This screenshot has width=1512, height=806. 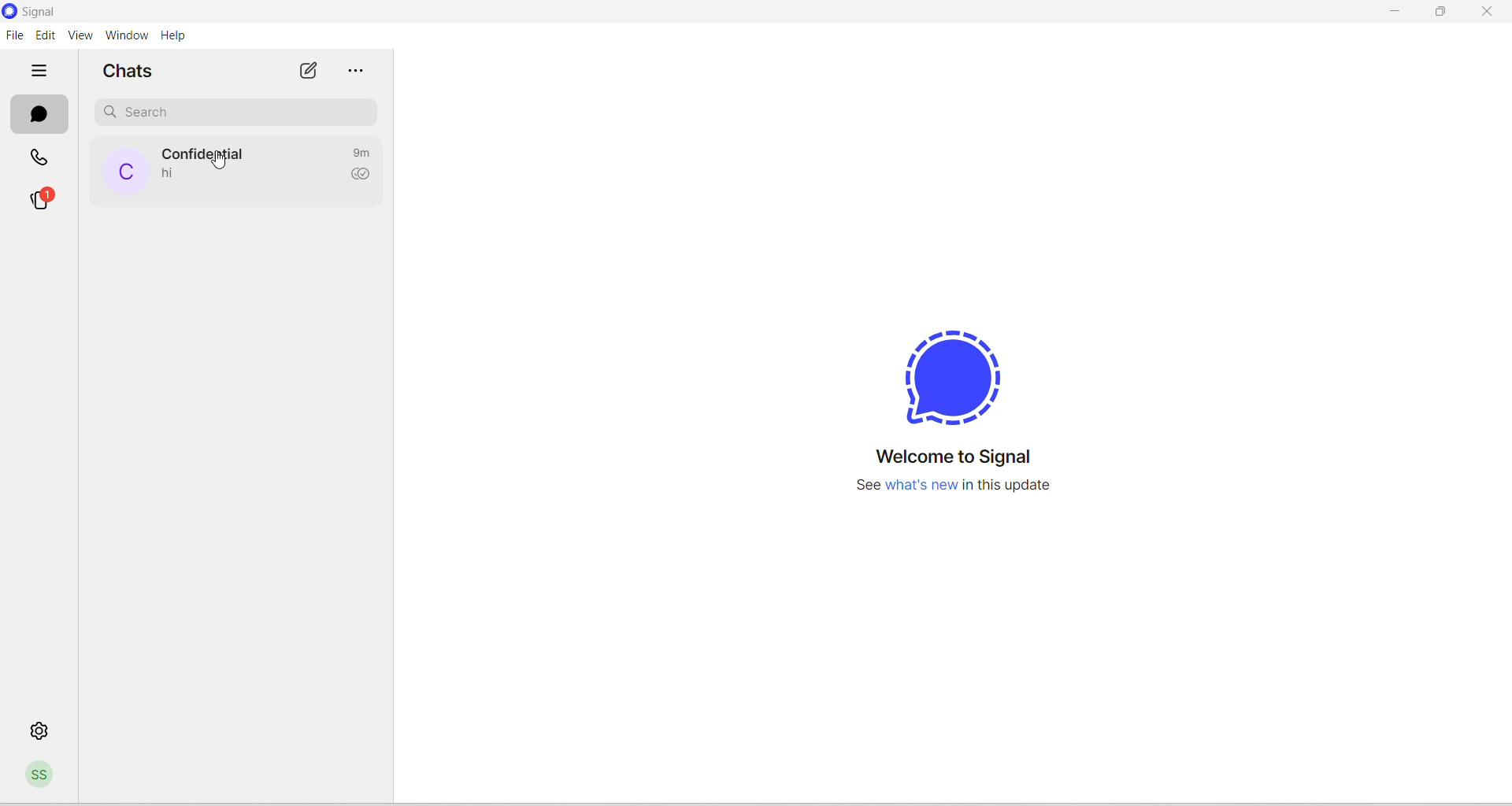 I want to click on last message time, so click(x=365, y=151).